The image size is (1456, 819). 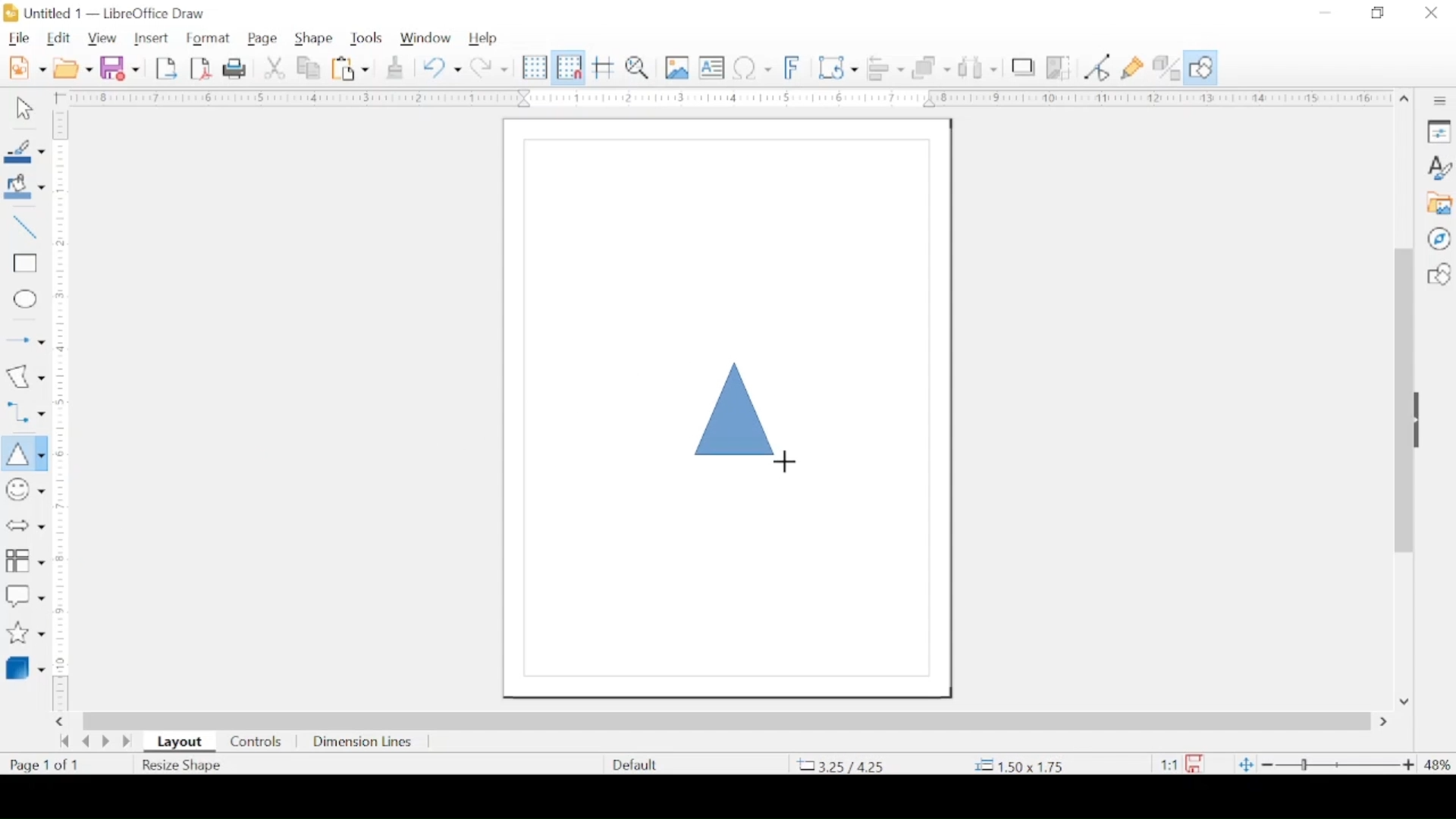 What do you see at coordinates (1439, 275) in the screenshot?
I see `shapes` at bounding box center [1439, 275].